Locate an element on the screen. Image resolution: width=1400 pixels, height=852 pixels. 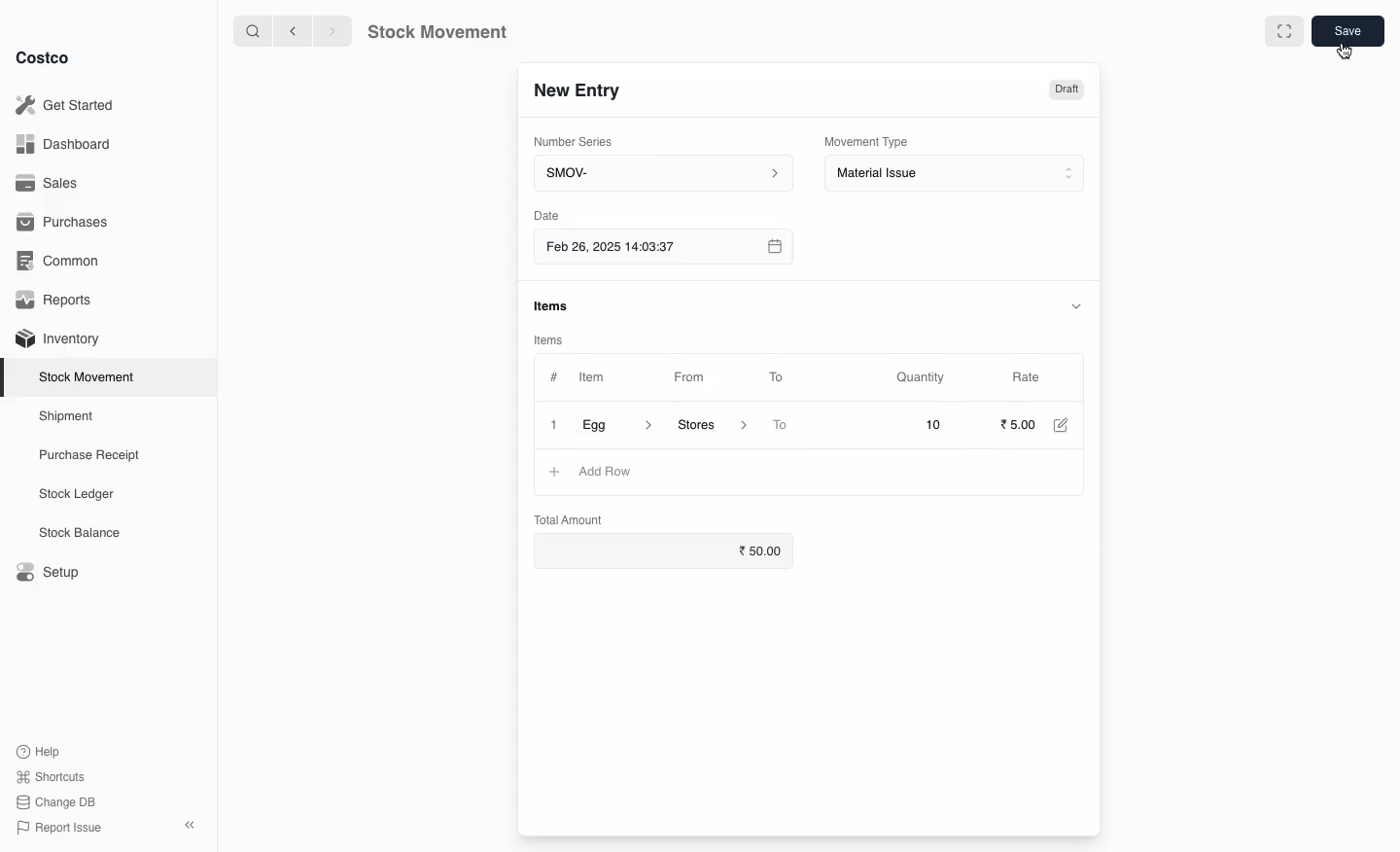
Total Amount is located at coordinates (569, 518).